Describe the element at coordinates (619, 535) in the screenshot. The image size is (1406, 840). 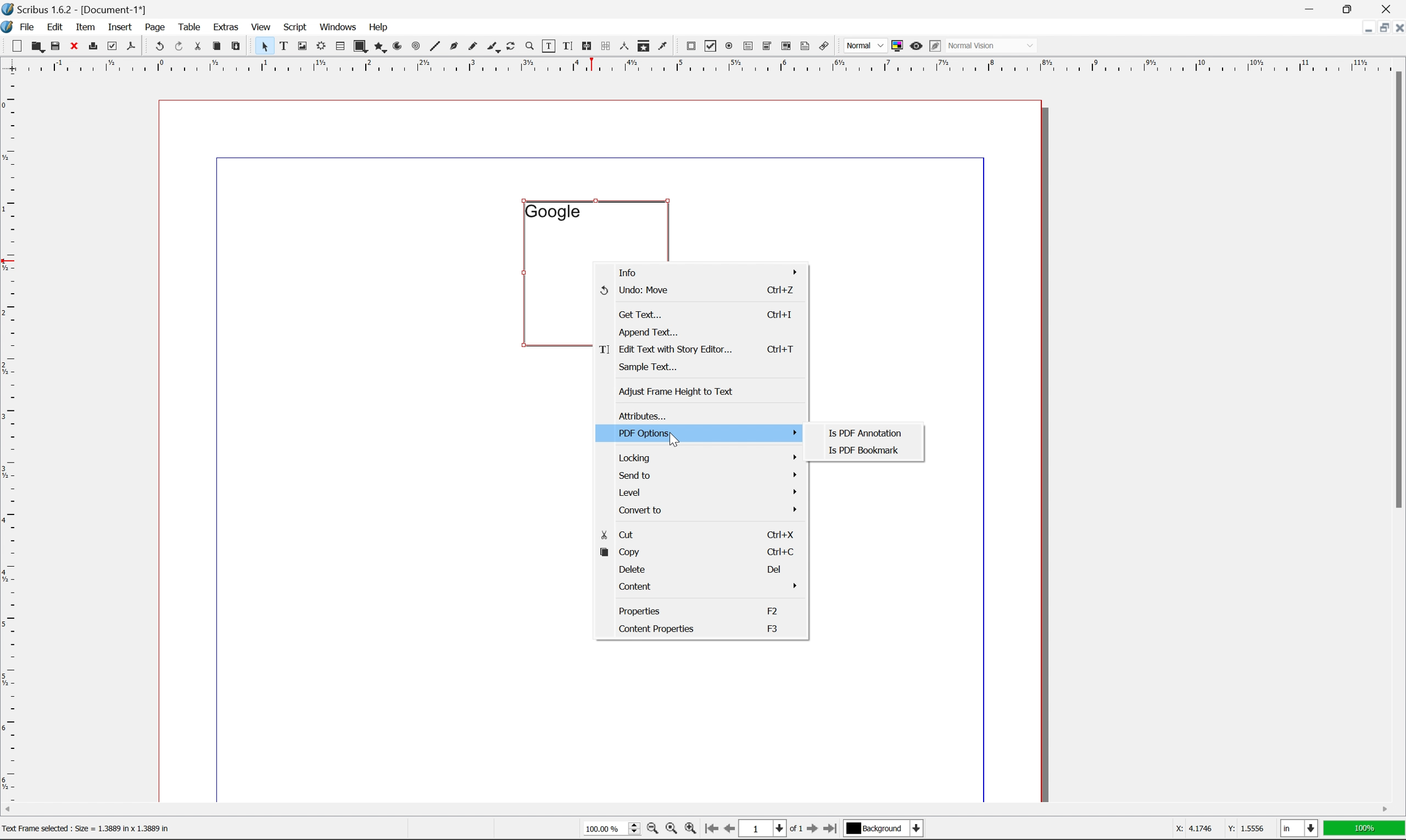
I see `cut` at that location.